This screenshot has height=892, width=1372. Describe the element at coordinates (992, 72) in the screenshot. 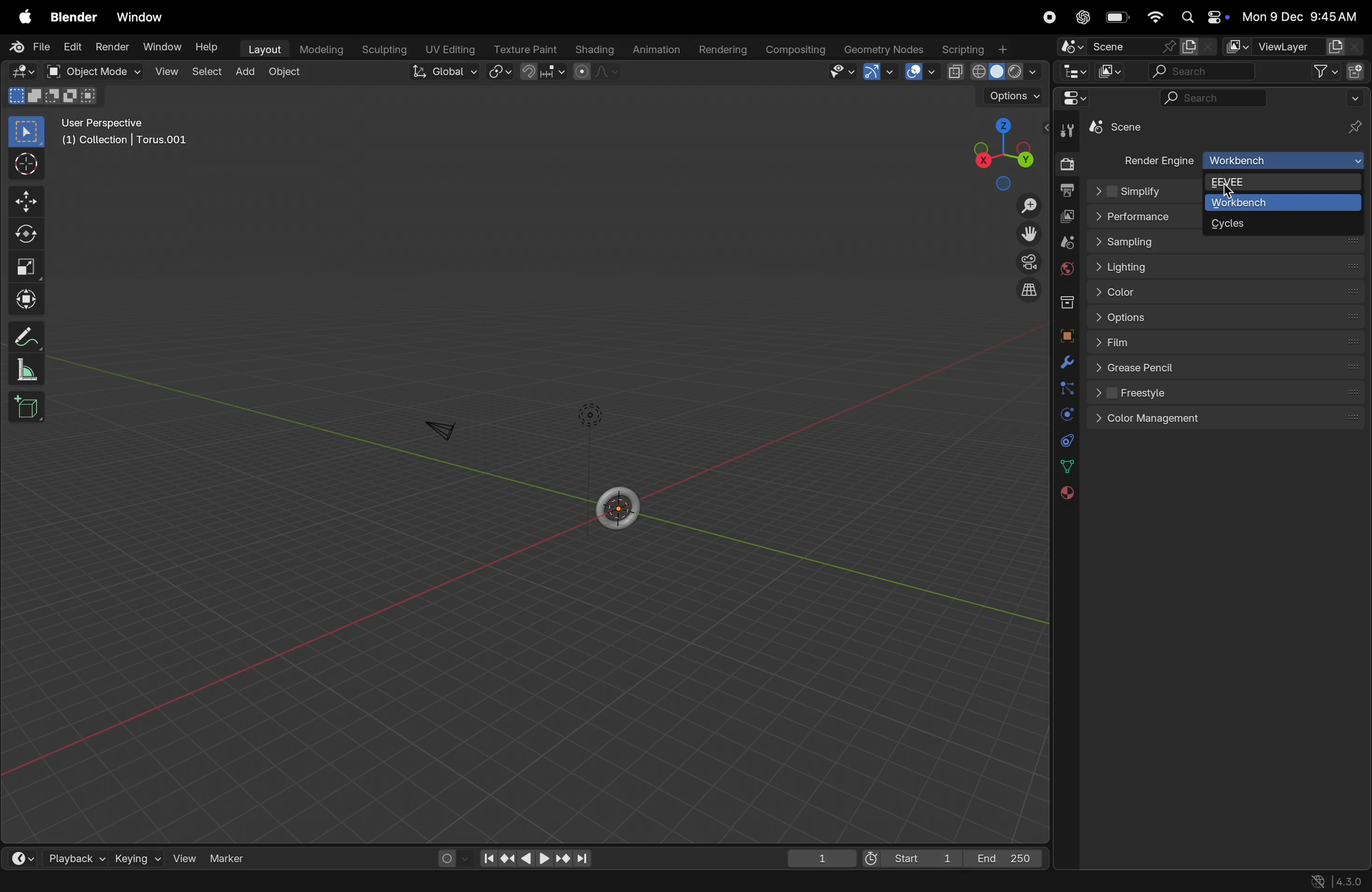

I see `shading` at that location.